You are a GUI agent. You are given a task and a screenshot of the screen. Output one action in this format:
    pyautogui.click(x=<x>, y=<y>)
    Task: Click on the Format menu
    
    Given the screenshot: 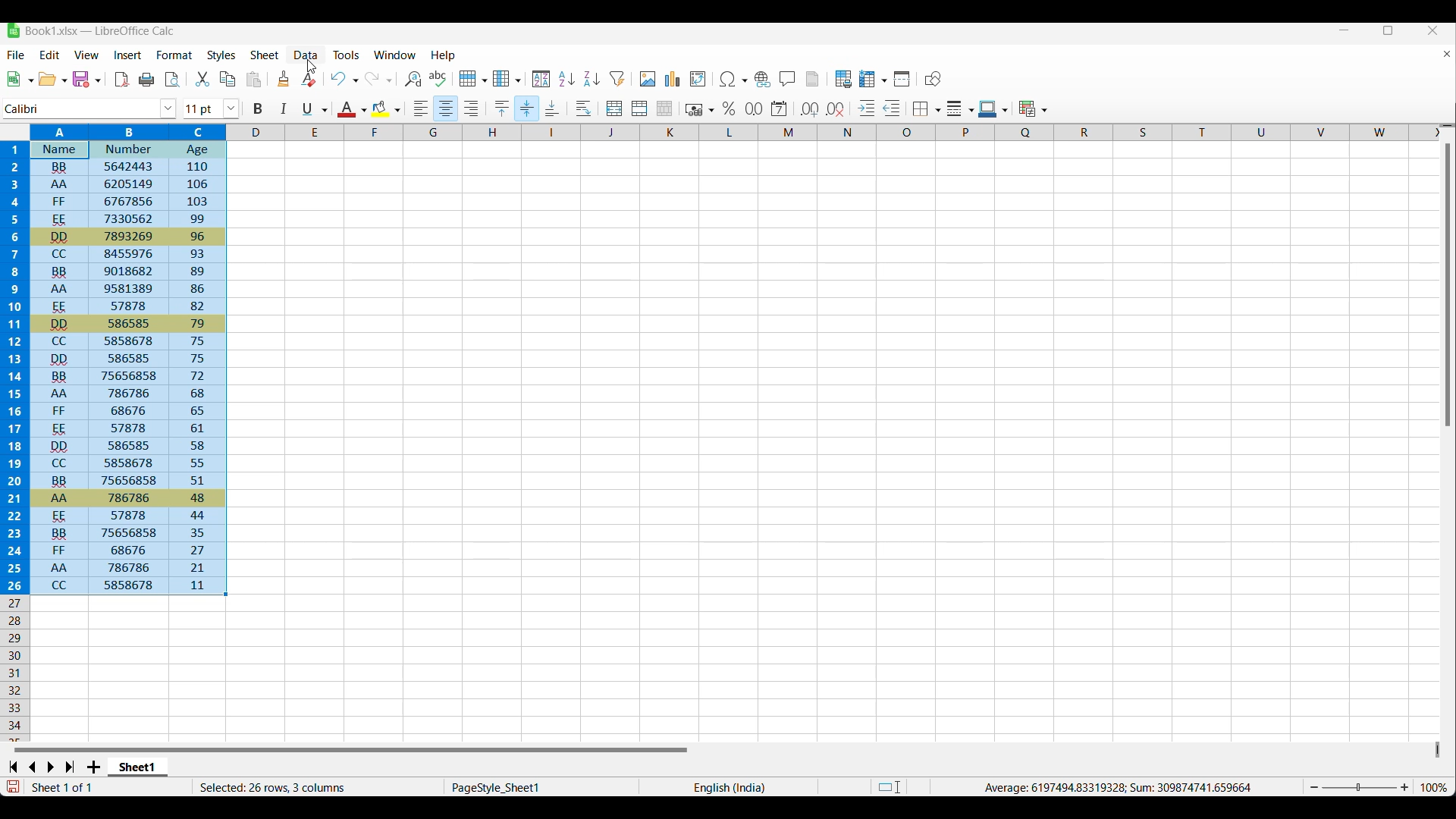 What is the action you would take?
    pyautogui.click(x=174, y=55)
    